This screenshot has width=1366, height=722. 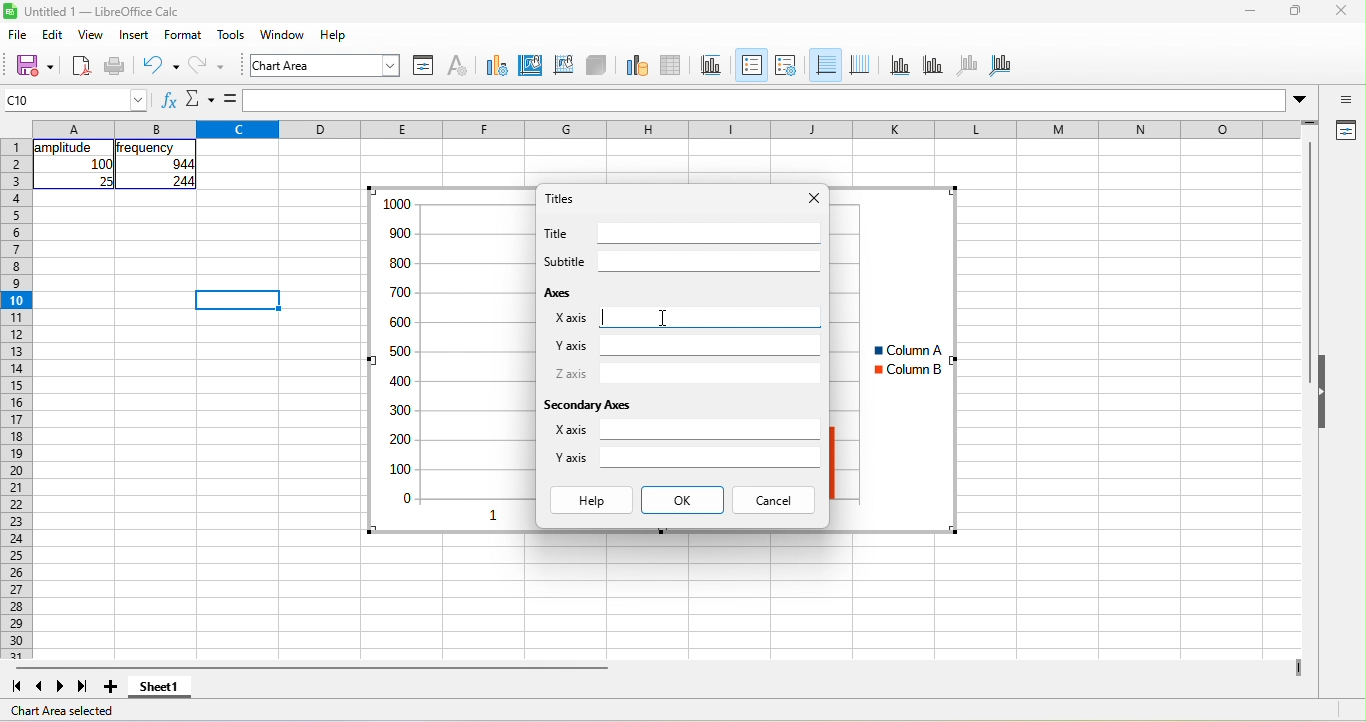 I want to click on Input for secondary y axis, so click(x=710, y=457).